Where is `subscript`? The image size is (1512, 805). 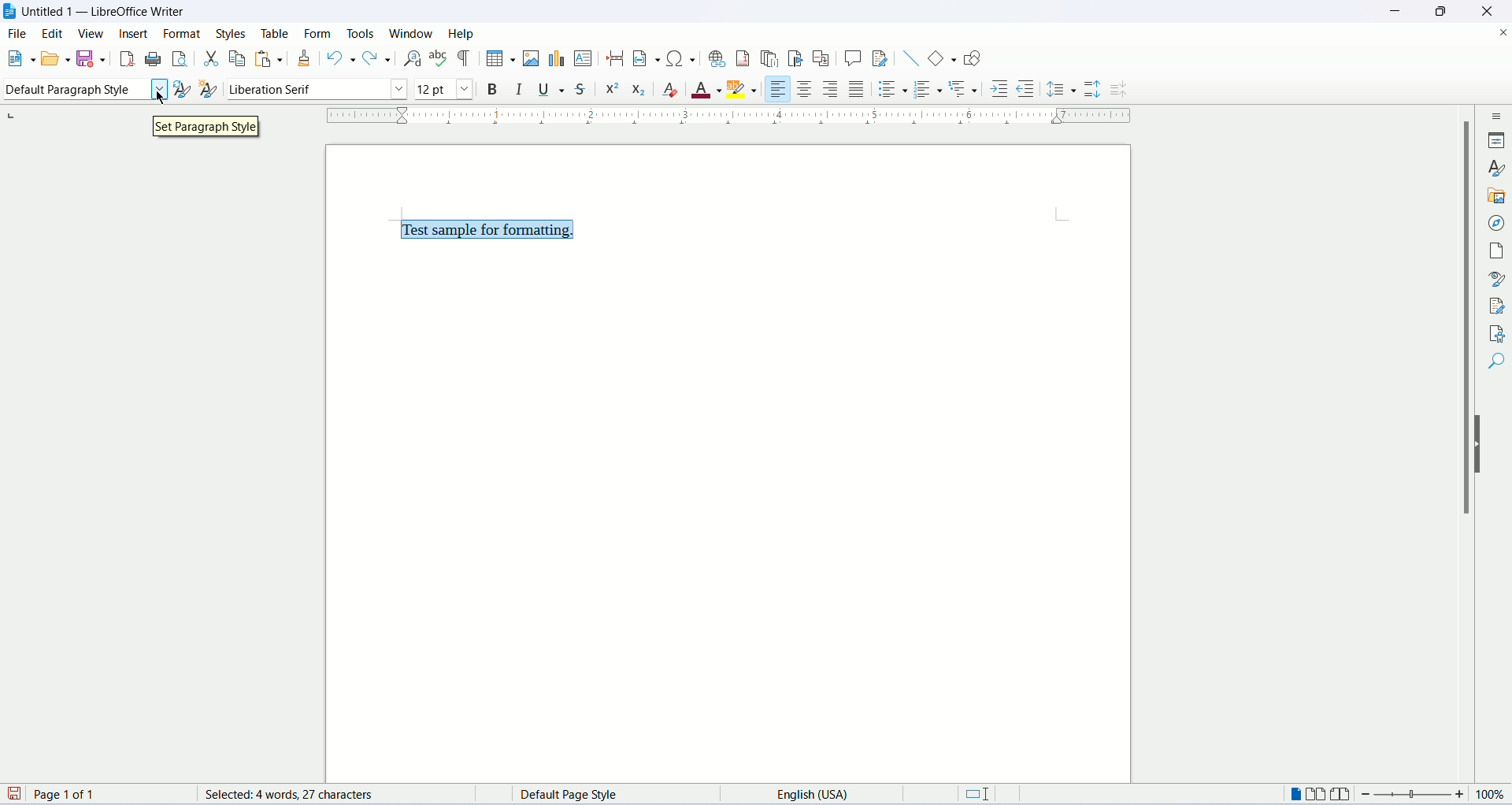
subscript is located at coordinates (639, 87).